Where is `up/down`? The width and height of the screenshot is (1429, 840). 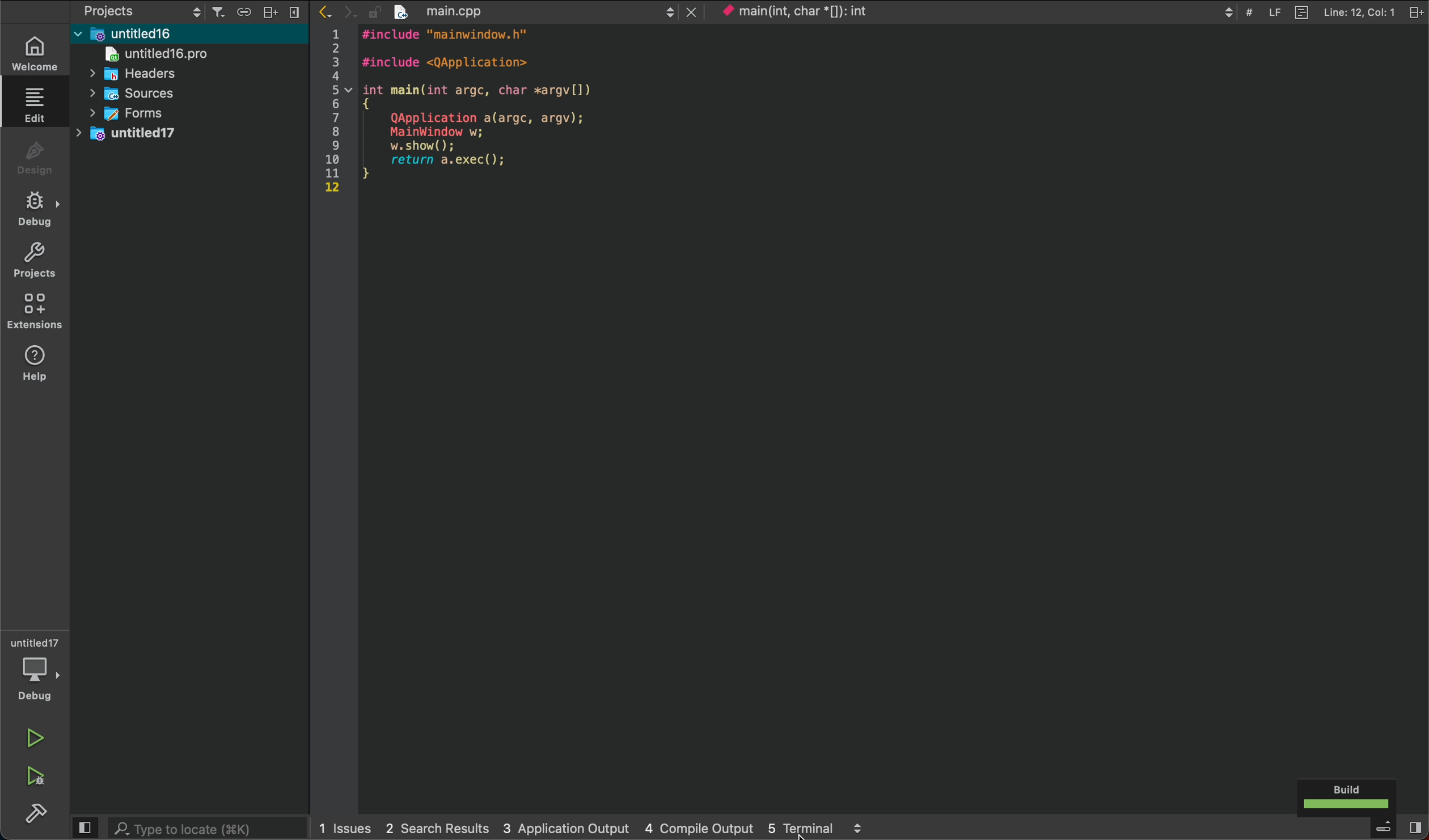 up/down is located at coordinates (857, 828).